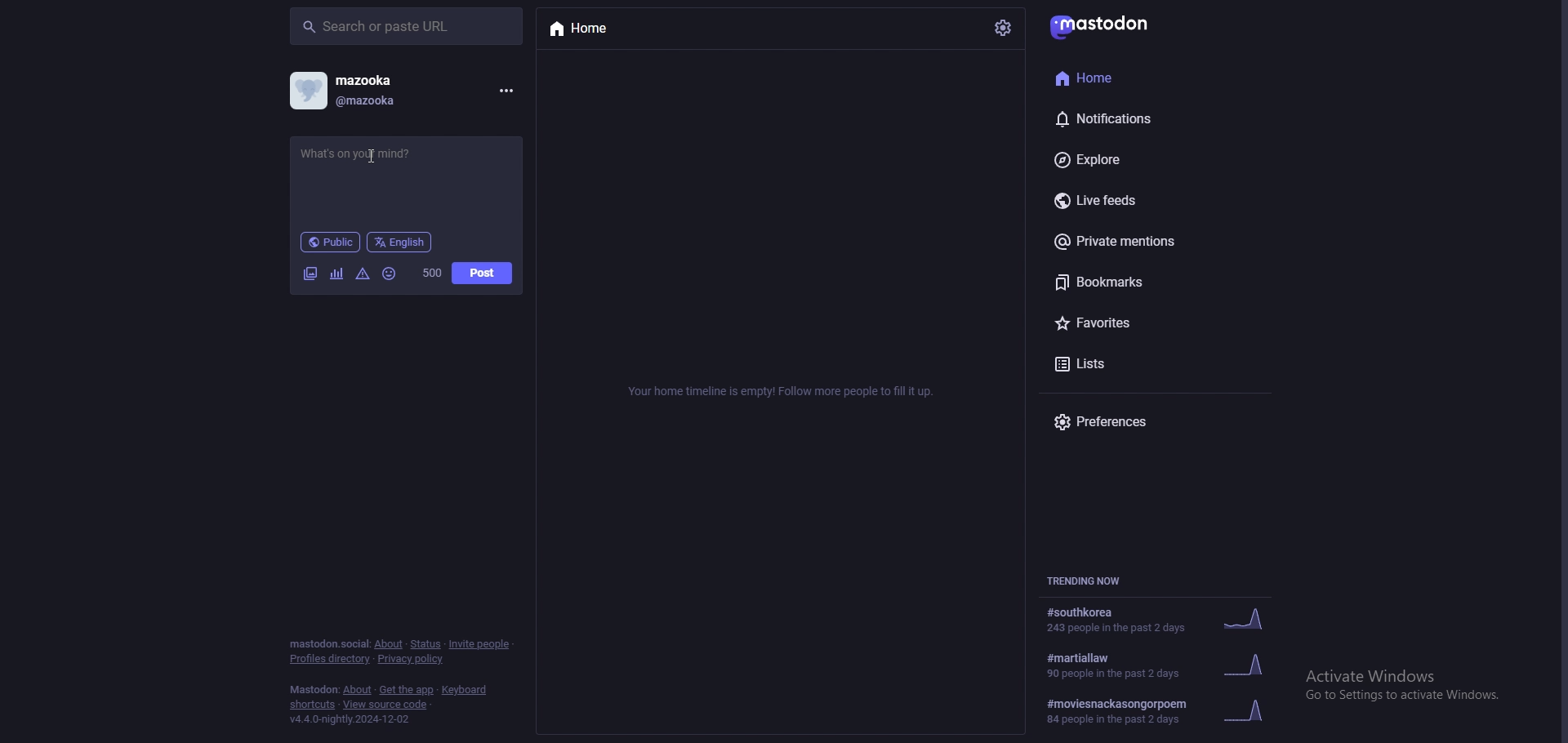  What do you see at coordinates (387, 705) in the screenshot?
I see `view source code` at bounding box center [387, 705].